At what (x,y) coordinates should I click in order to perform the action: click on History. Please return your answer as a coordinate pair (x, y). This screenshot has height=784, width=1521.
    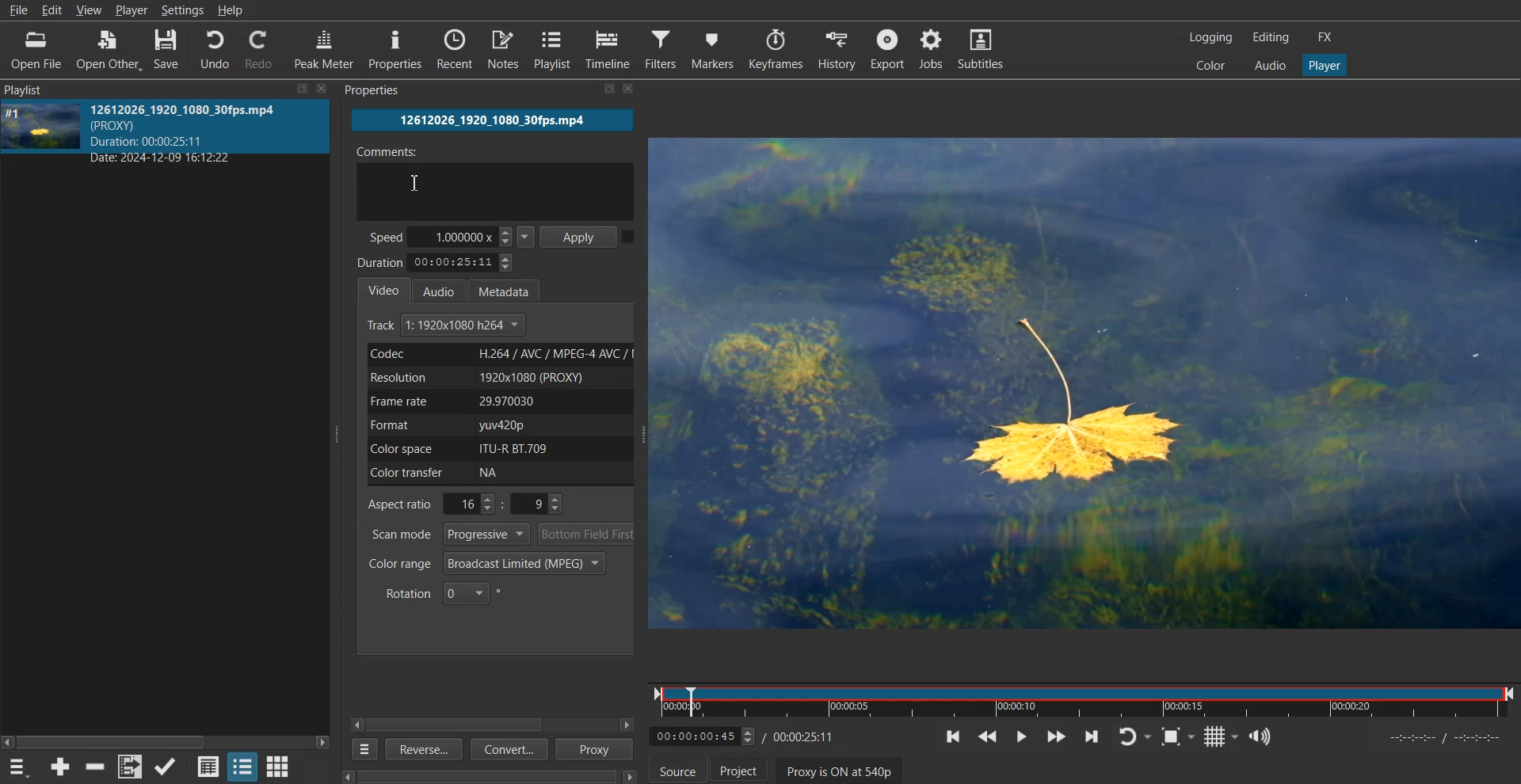
    Looking at the image, I should click on (833, 48).